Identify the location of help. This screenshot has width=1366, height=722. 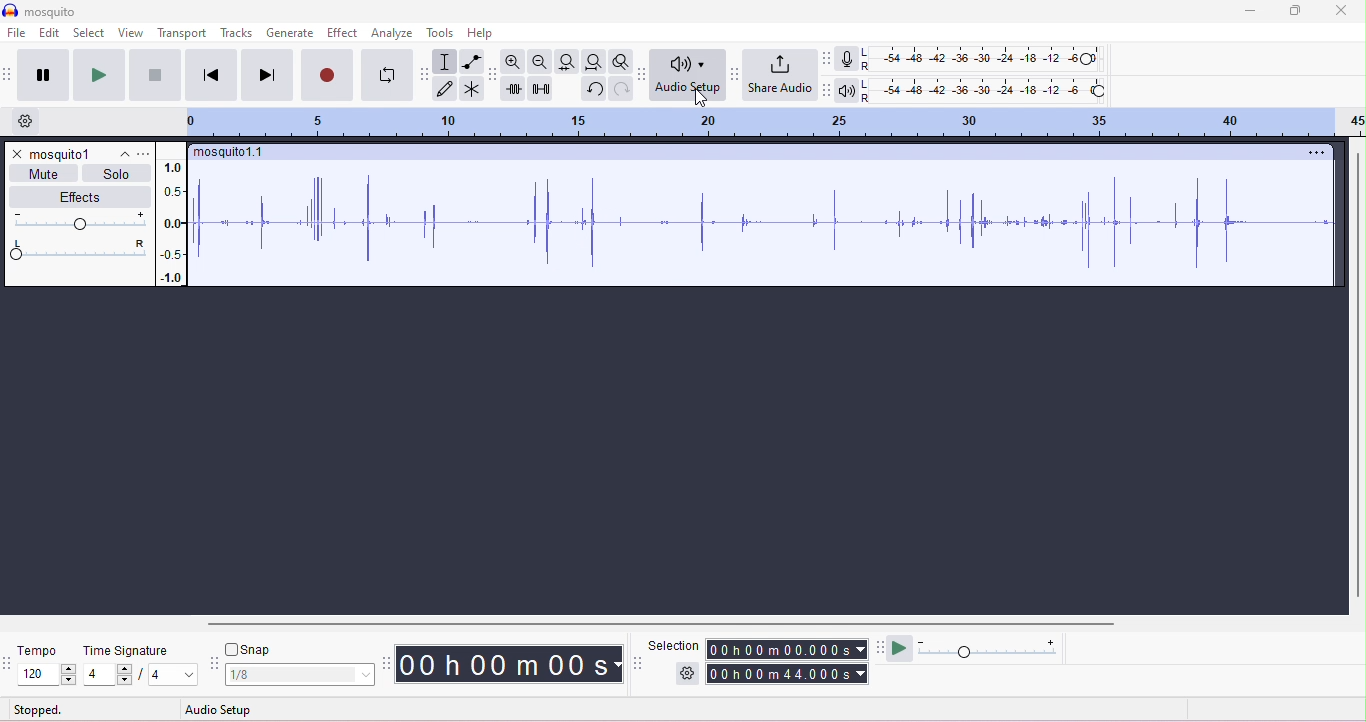
(480, 34).